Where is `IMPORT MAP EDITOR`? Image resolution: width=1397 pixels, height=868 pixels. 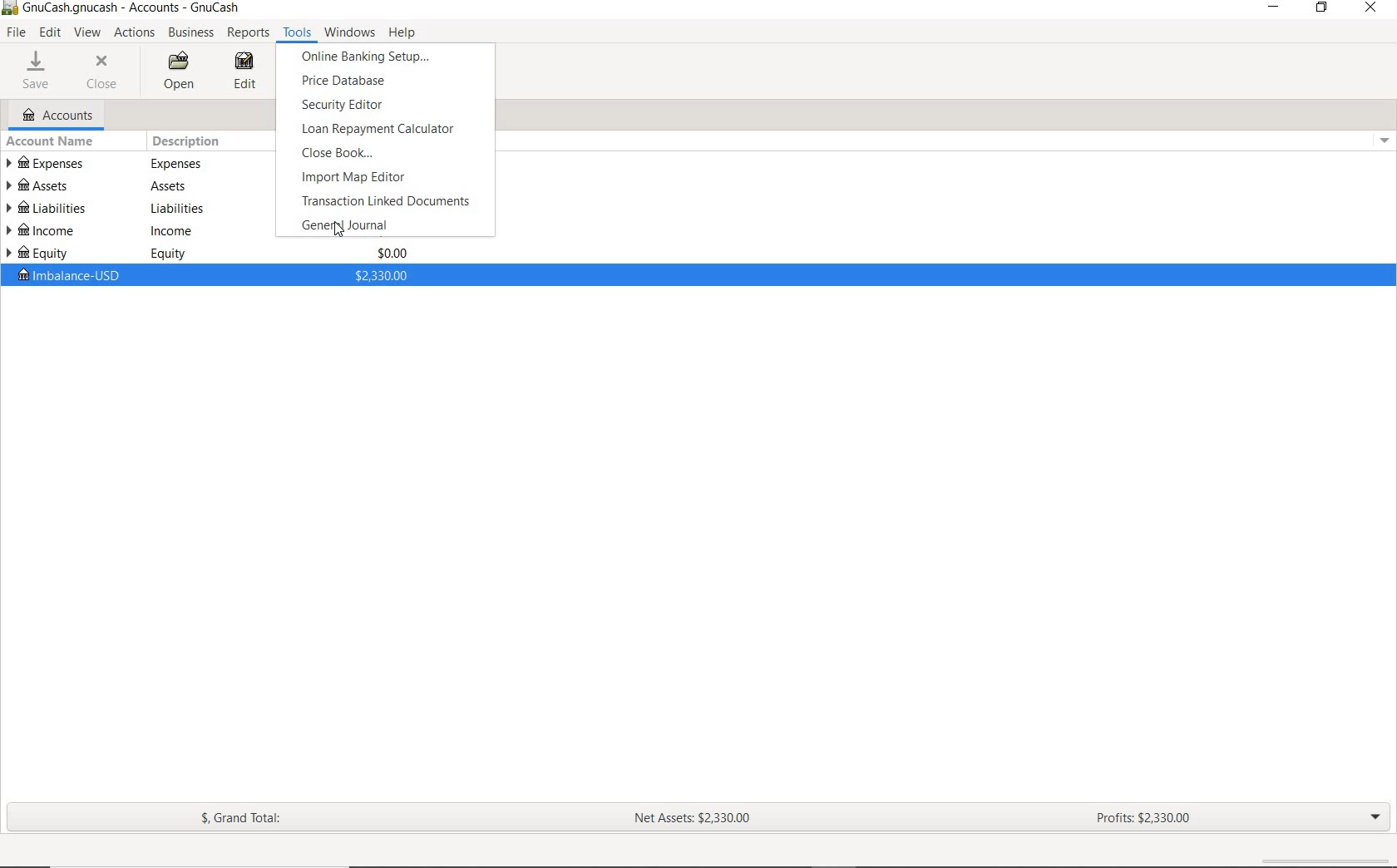
IMPORT MAP EDITOR is located at coordinates (386, 177).